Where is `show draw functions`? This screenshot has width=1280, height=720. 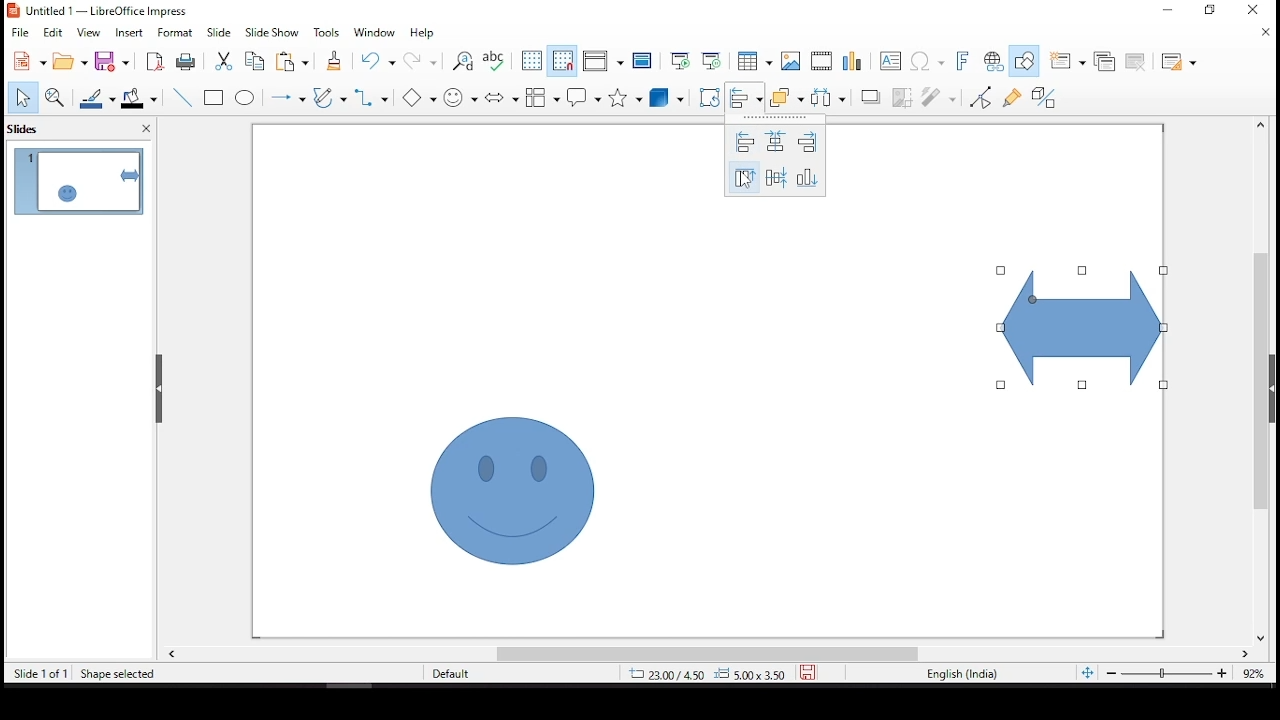 show draw functions is located at coordinates (1023, 61).